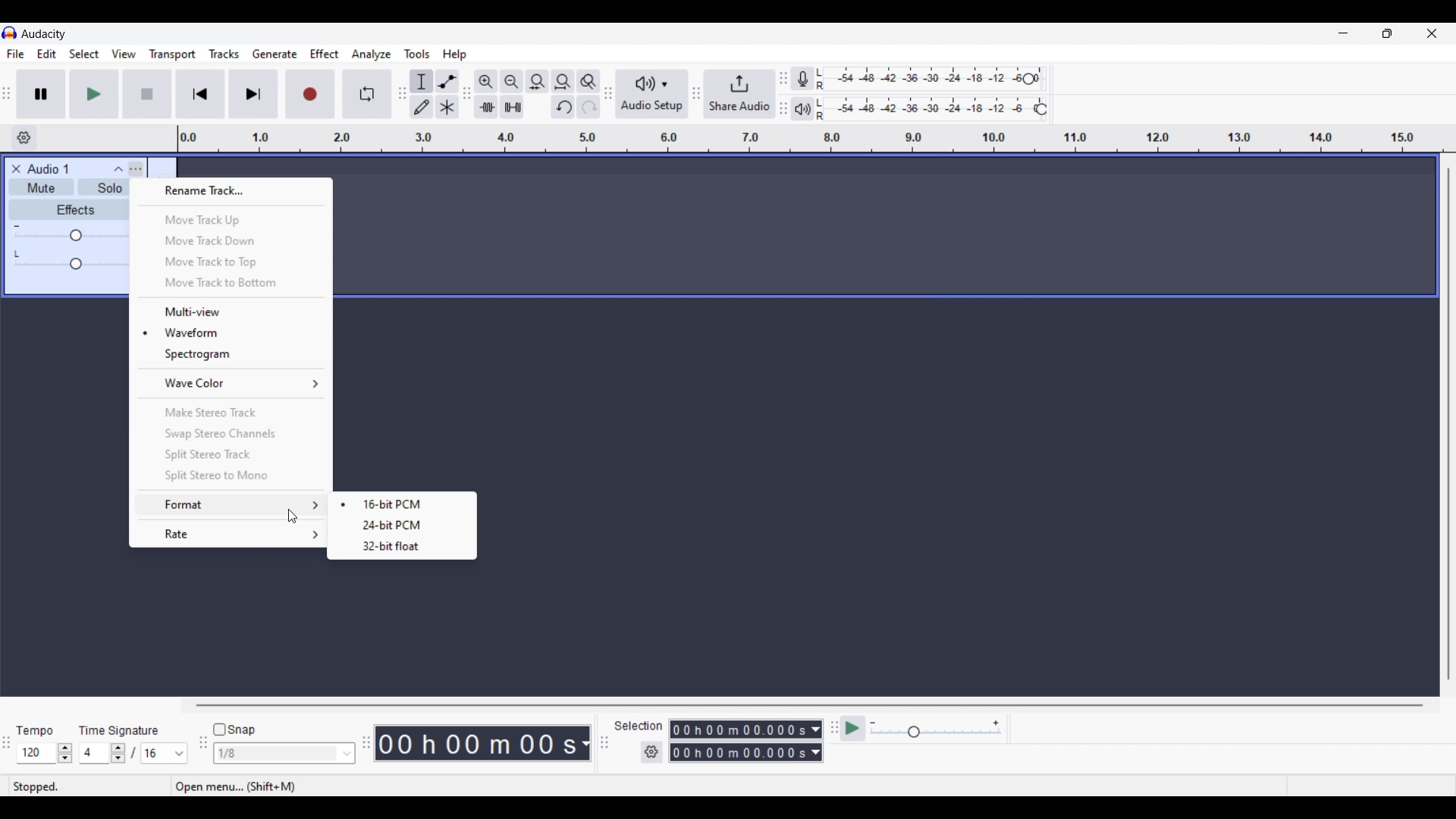  What do you see at coordinates (585, 743) in the screenshot?
I see `Metrics to calculate recording` at bounding box center [585, 743].